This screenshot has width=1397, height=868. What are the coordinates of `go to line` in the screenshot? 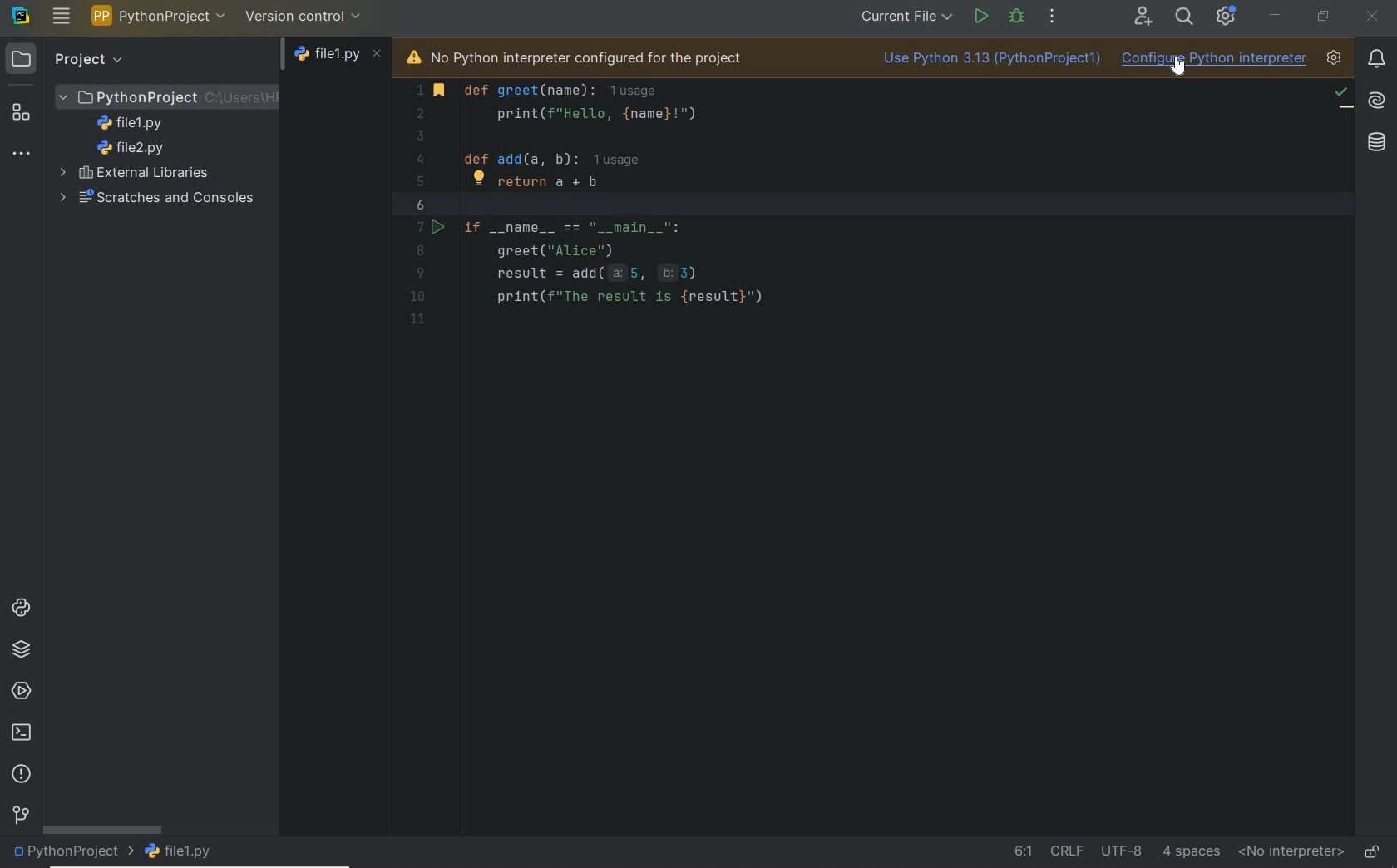 It's located at (1022, 851).